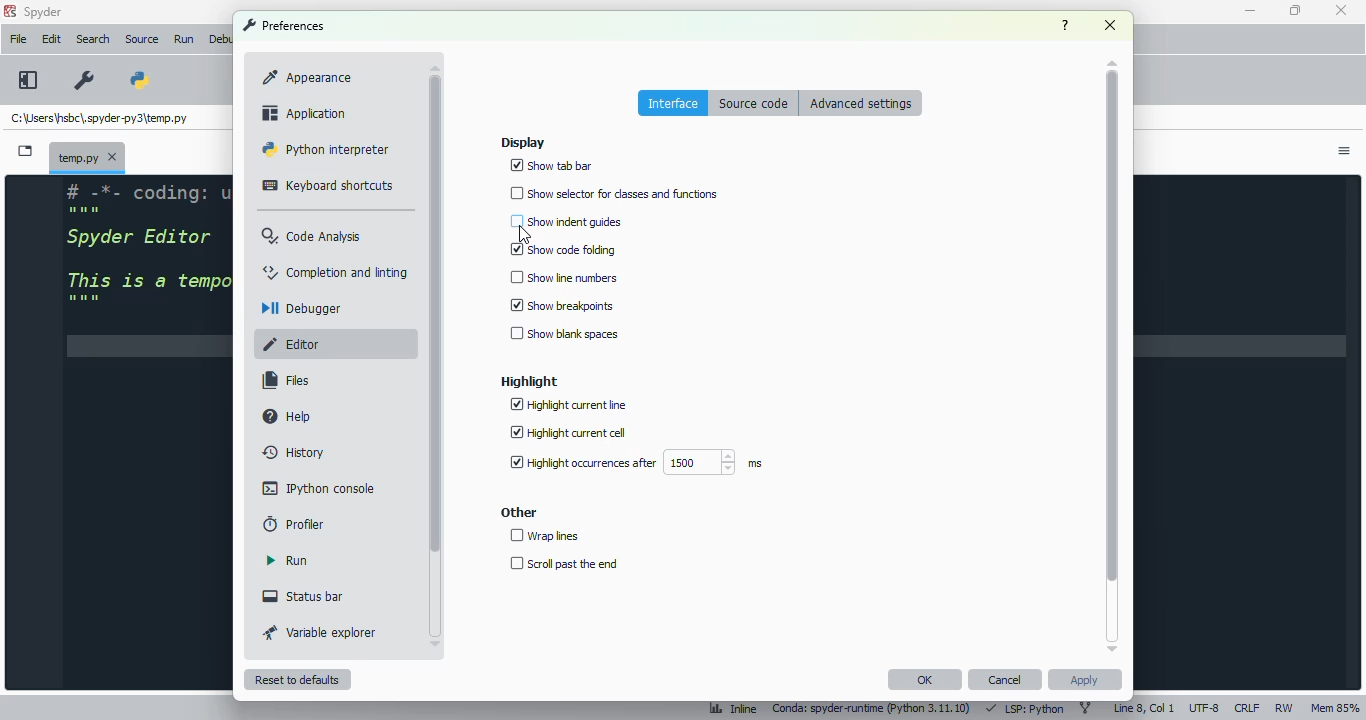 This screenshot has width=1366, height=720. Describe the element at coordinates (1112, 326) in the screenshot. I see `scrollbar` at that location.